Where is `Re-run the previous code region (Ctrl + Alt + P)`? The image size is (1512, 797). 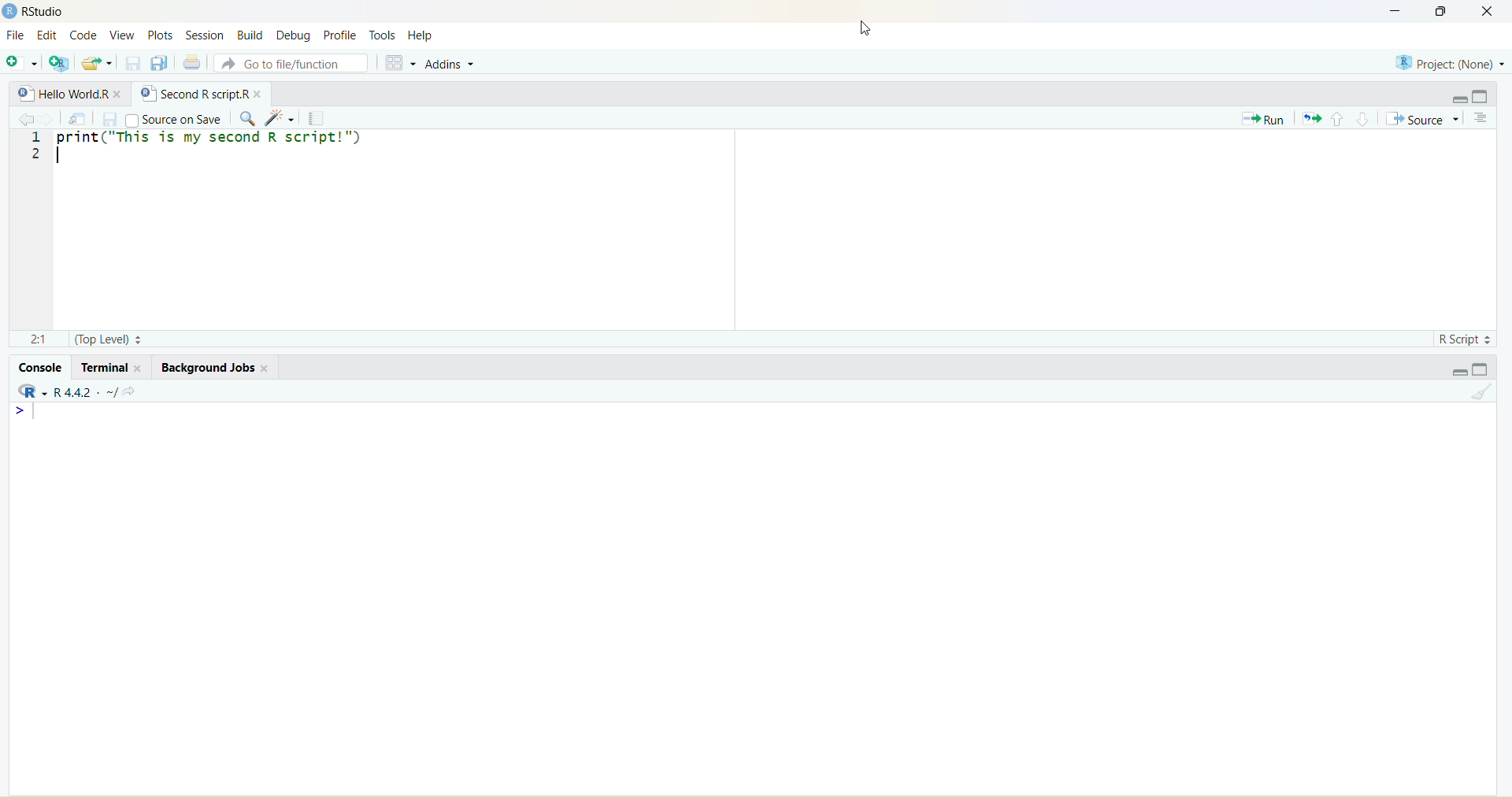
Re-run the previous code region (Ctrl + Alt + P) is located at coordinates (1311, 118).